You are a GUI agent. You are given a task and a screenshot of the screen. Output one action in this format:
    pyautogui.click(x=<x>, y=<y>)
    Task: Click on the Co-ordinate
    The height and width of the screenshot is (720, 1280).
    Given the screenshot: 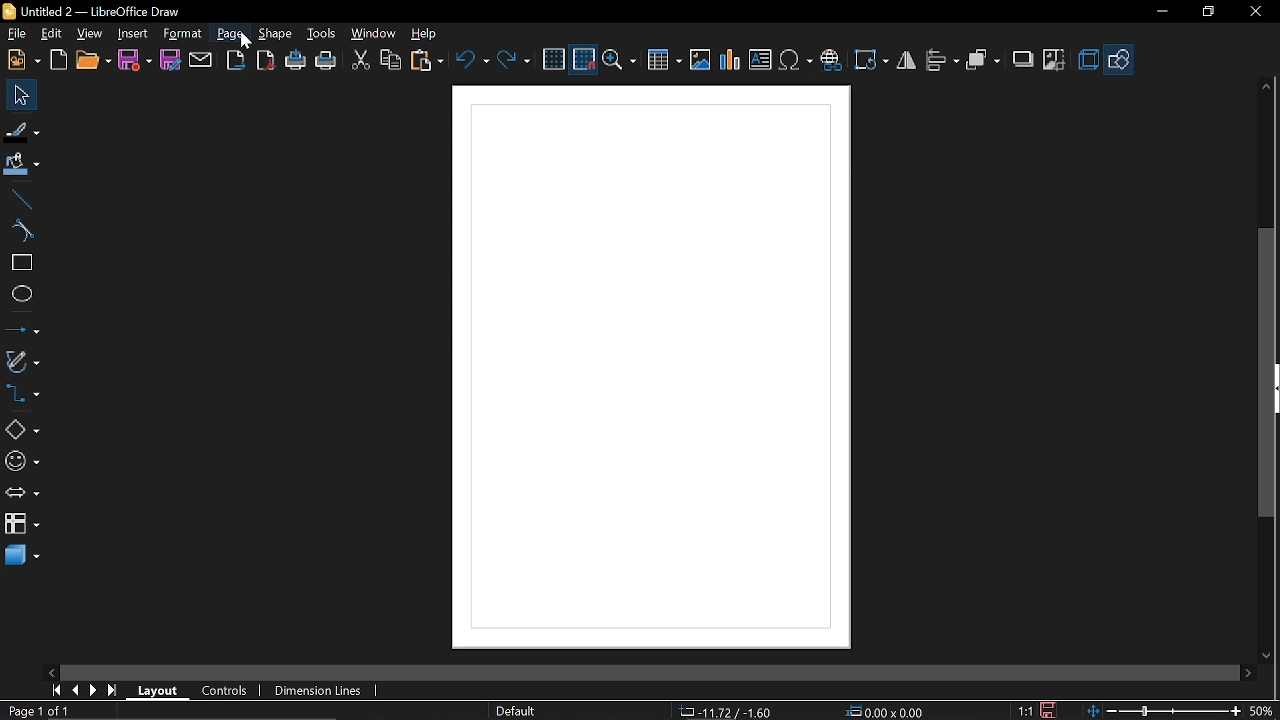 What is the action you would take?
    pyautogui.click(x=725, y=711)
    